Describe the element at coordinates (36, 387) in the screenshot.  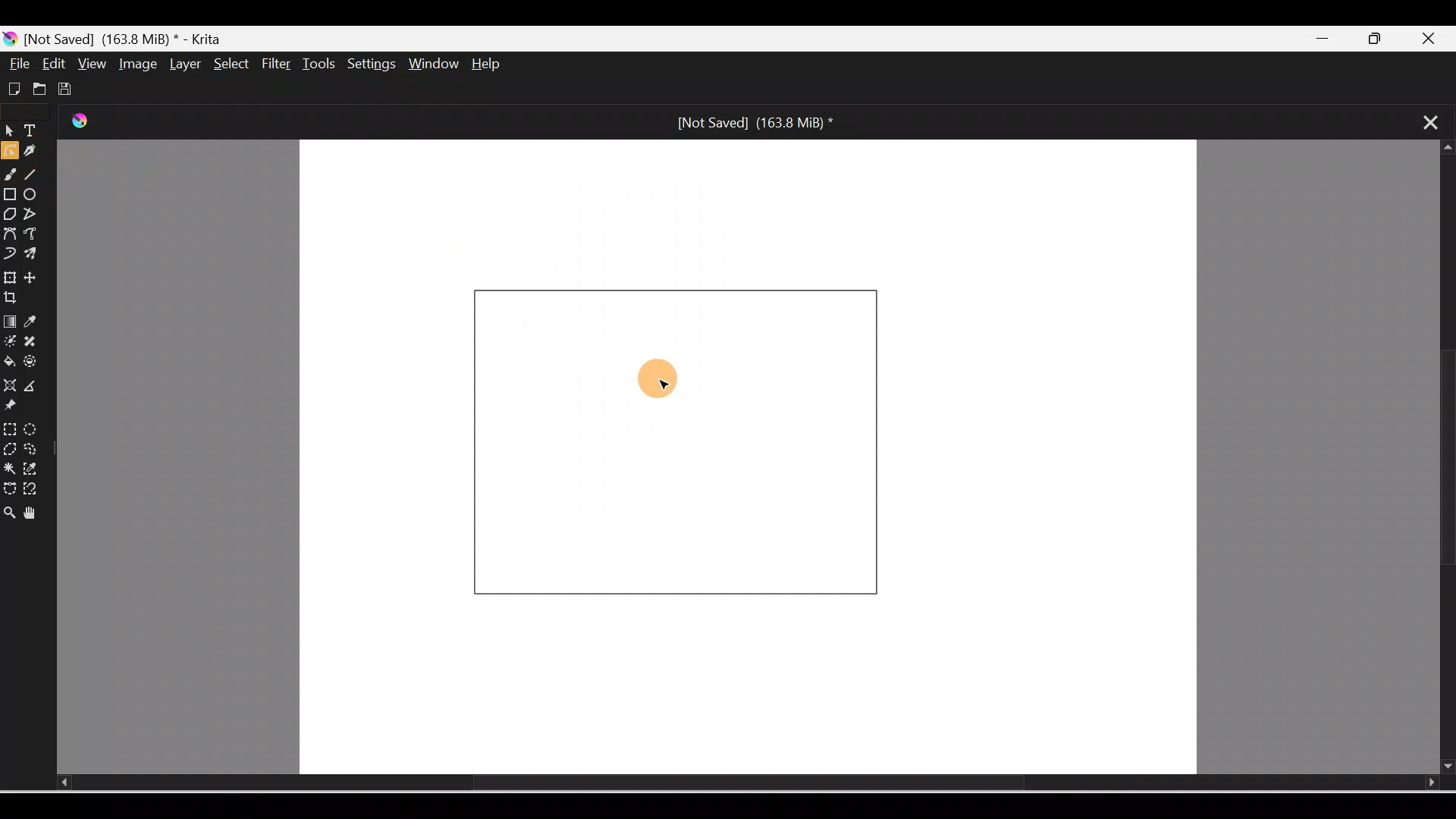
I see `Measure the distance between two points` at that location.